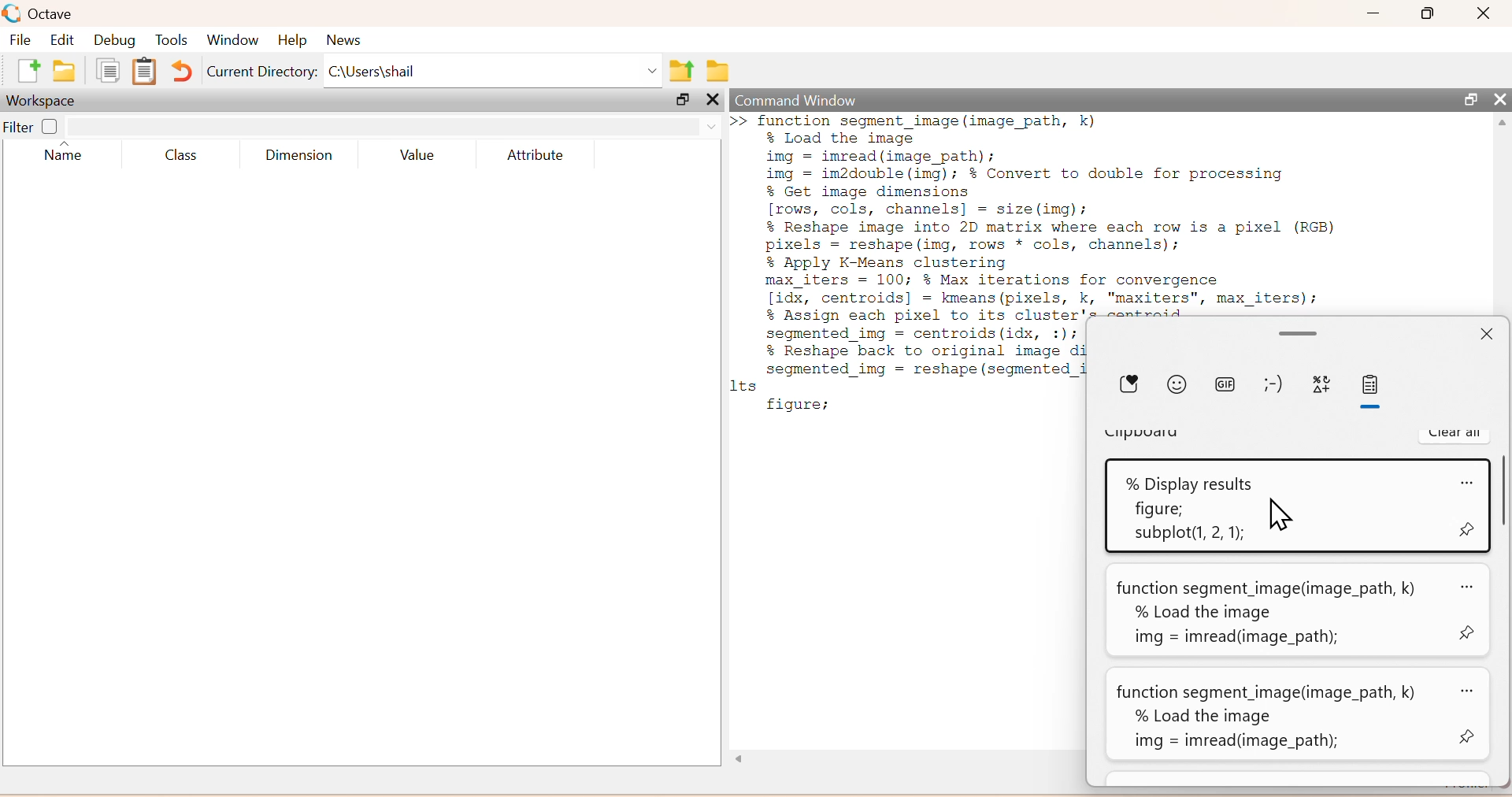  What do you see at coordinates (31, 71) in the screenshot?
I see `new script` at bounding box center [31, 71].